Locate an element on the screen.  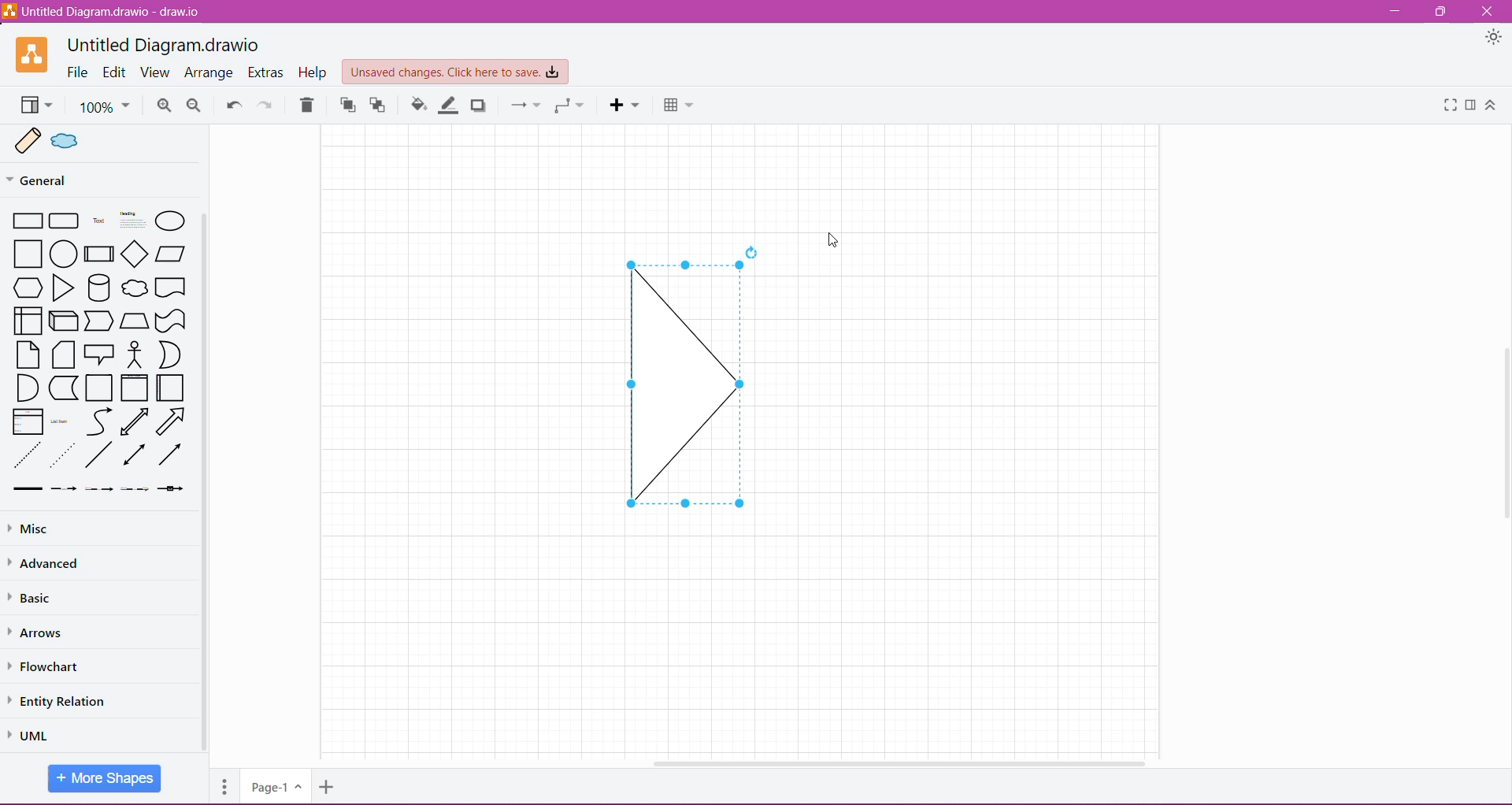
Horizontal Scroll Bar is located at coordinates (891, 759).